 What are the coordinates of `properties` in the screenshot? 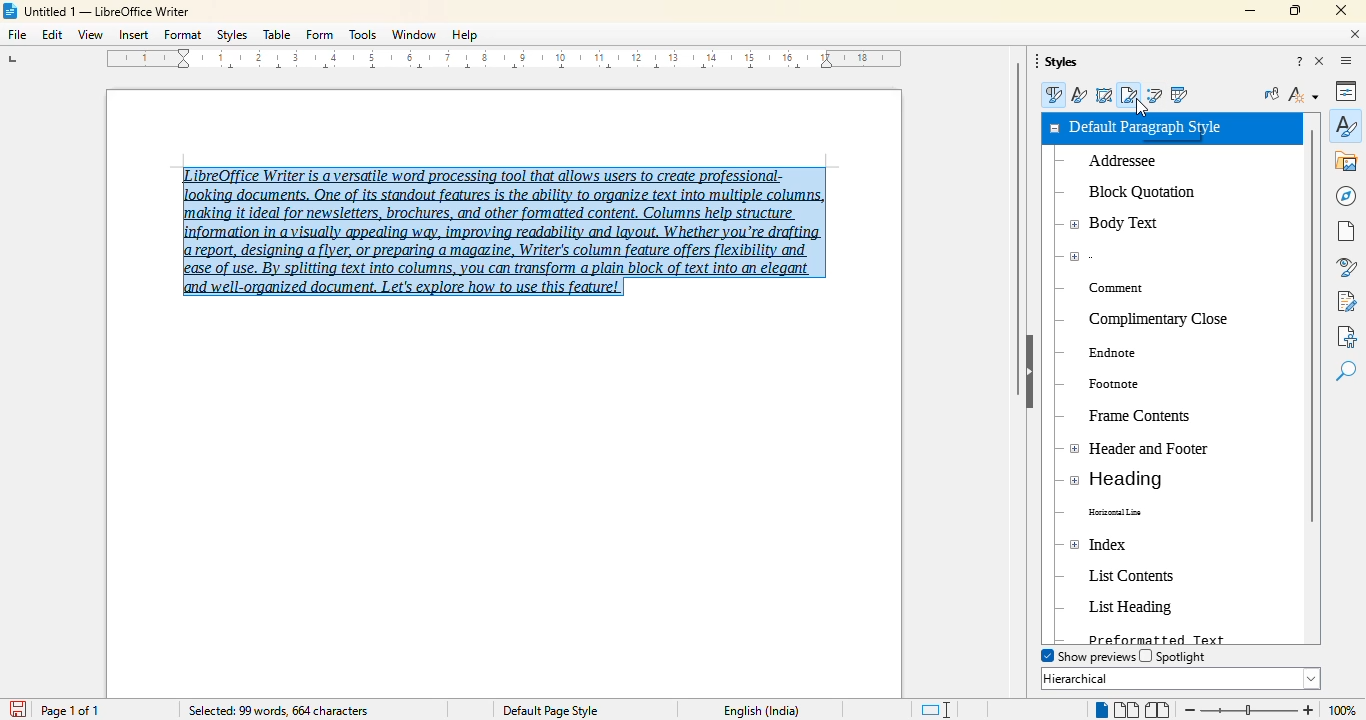 It's located at (1346, 91).